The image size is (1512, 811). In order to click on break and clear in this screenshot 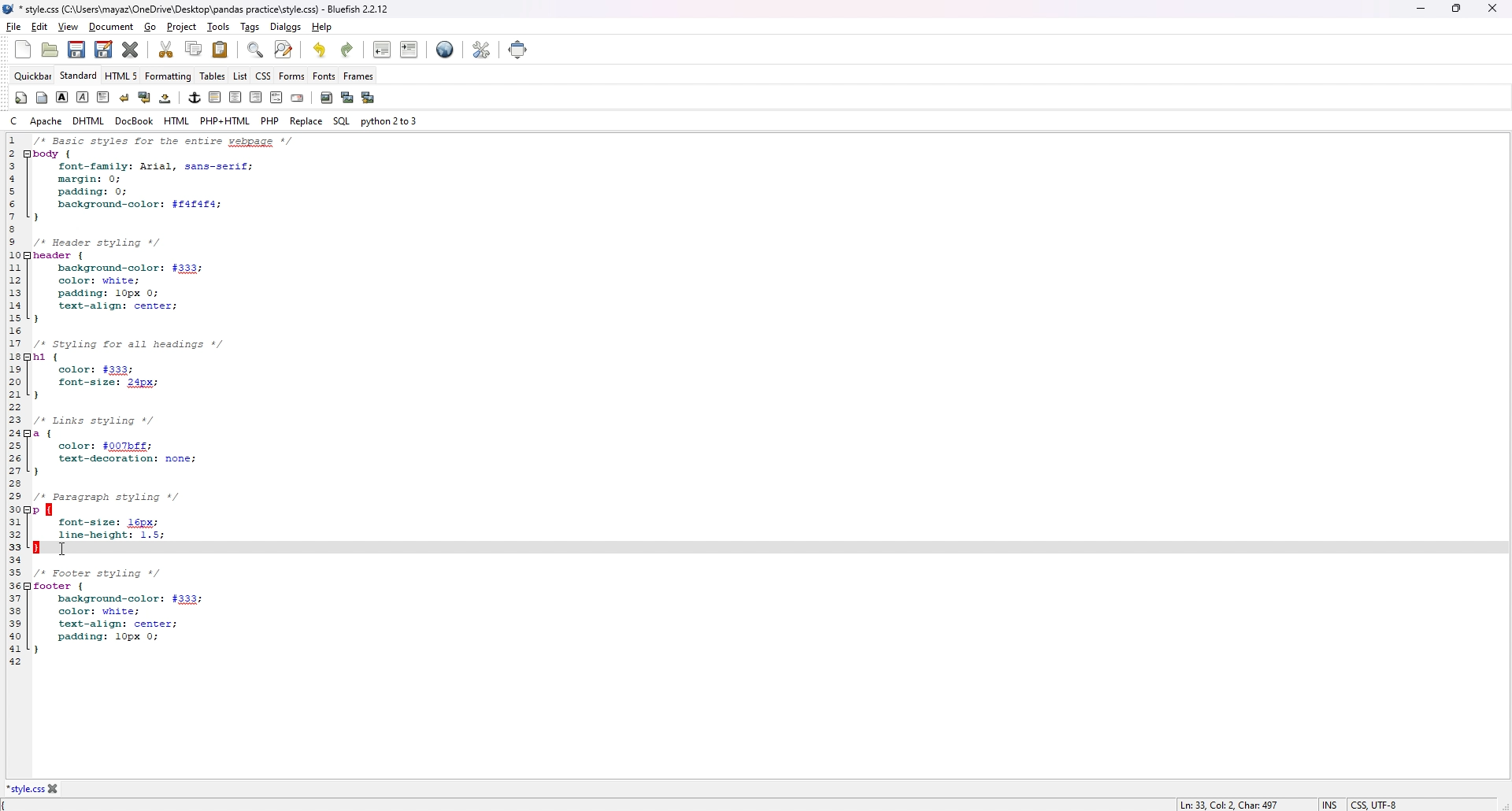, I will do `click(143, 97)`.